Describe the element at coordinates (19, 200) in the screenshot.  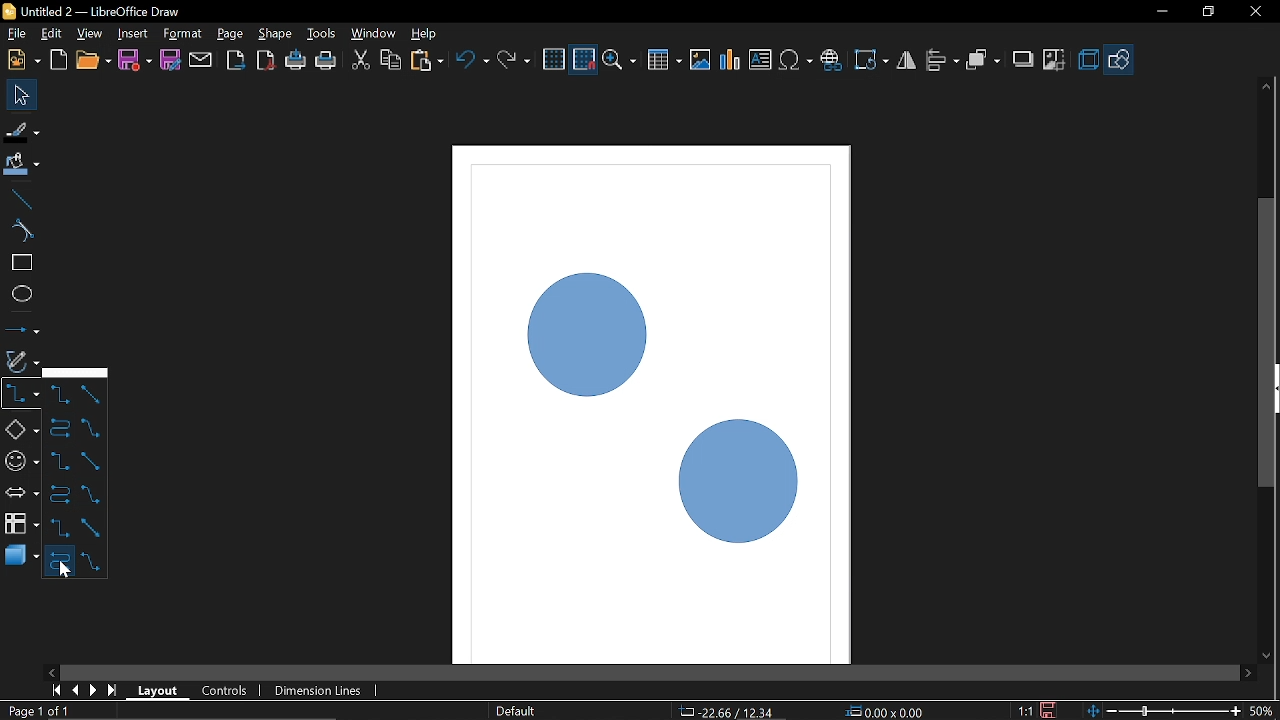
I see `Line` at that location.